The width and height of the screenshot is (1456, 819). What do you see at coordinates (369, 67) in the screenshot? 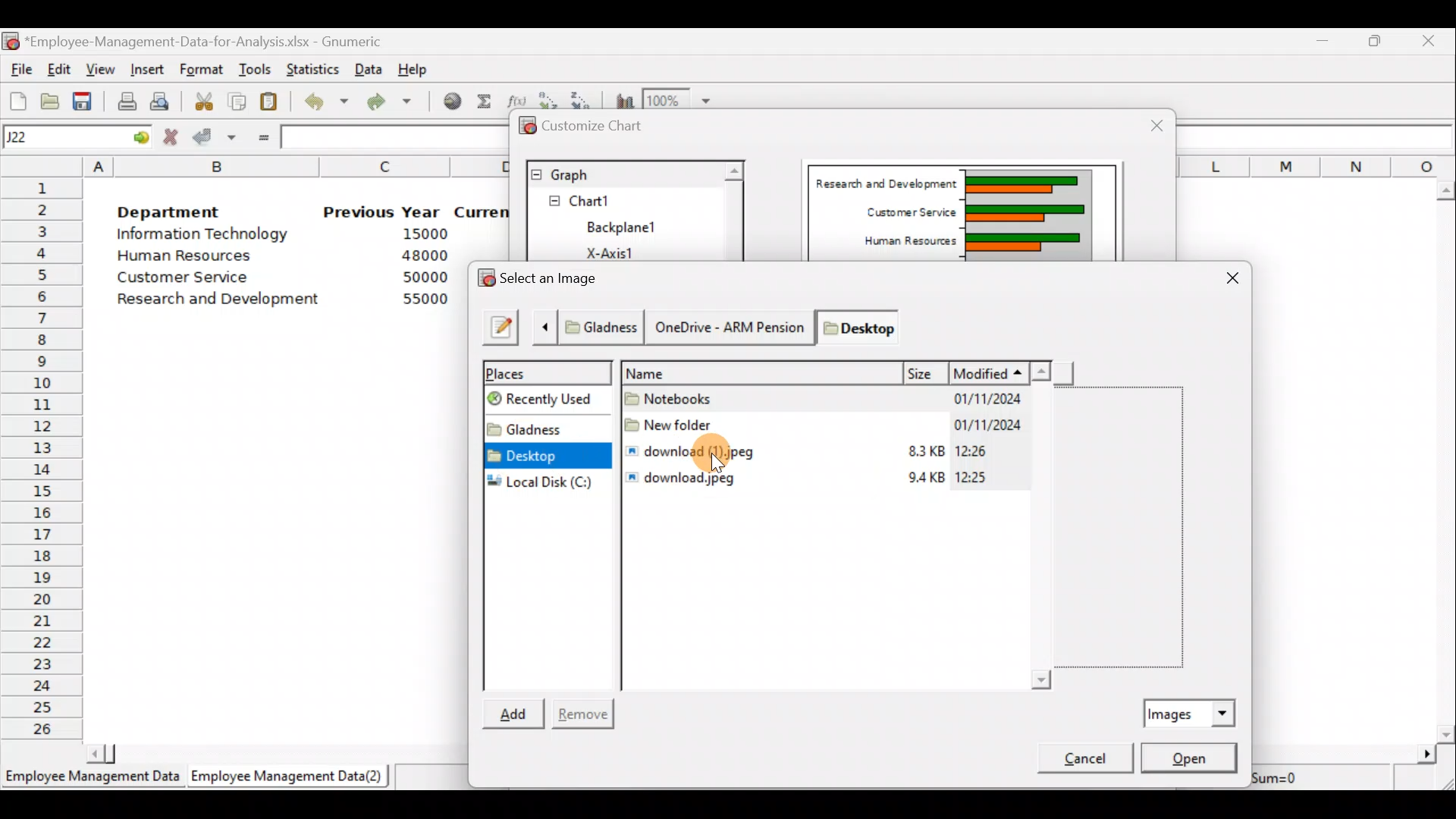
I see `Data` at bounding box center [369, 67].